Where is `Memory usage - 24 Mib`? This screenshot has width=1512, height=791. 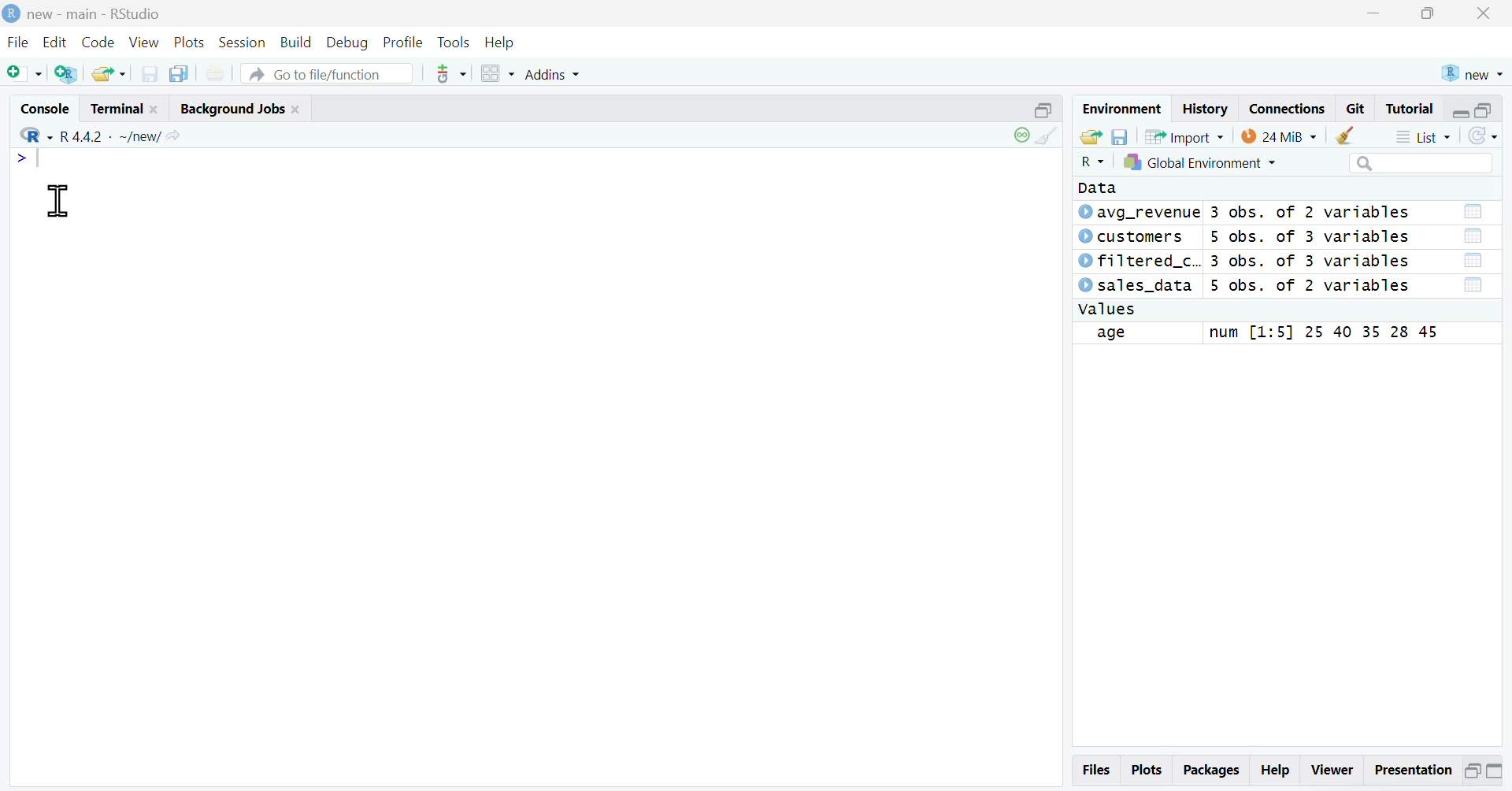 Memory usage - 24 Mib is located at coordinates (1279, 135).